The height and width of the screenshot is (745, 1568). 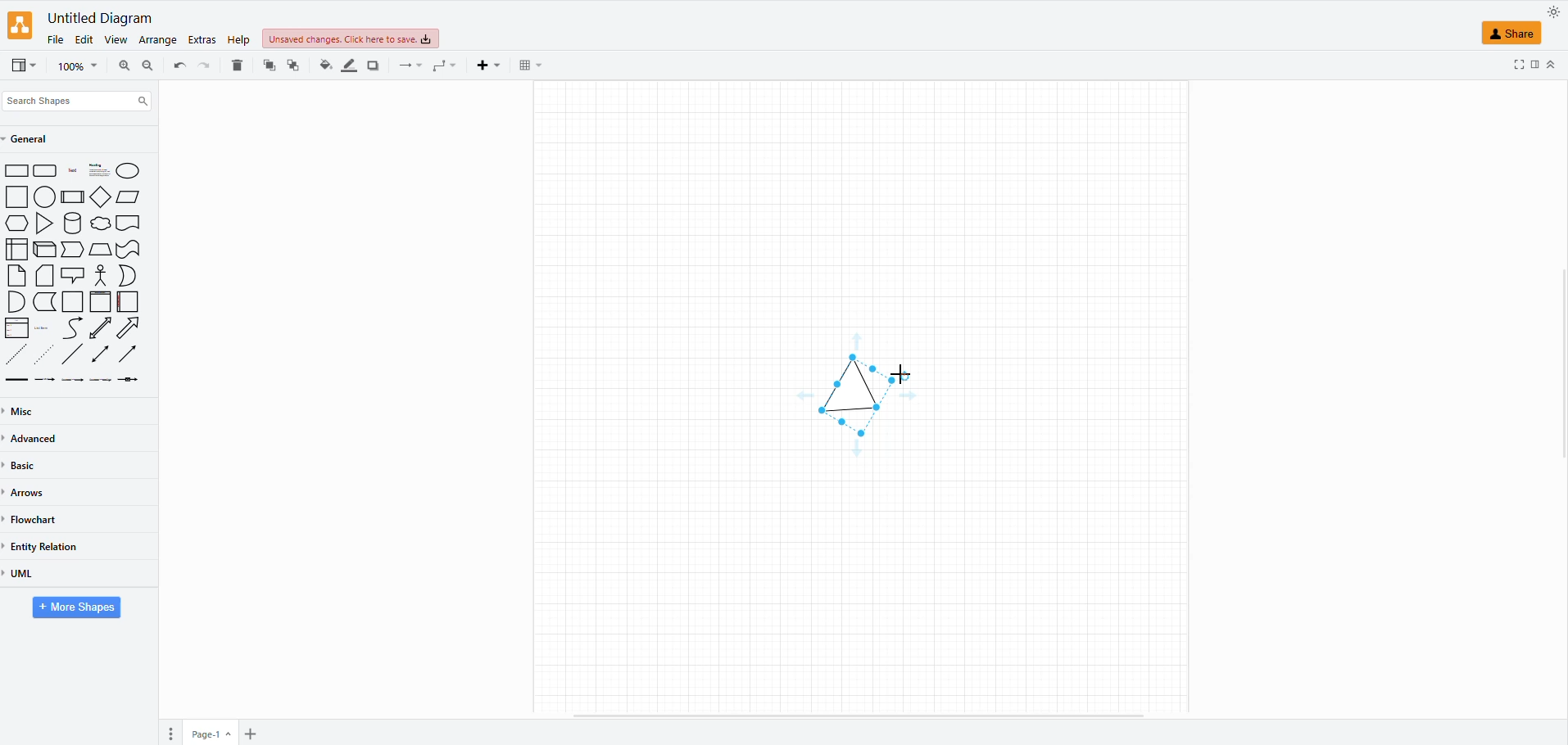 What do you see at coordinates (169, 734) in the screenshot?
I see `pages` at bounding box center [169, 734].